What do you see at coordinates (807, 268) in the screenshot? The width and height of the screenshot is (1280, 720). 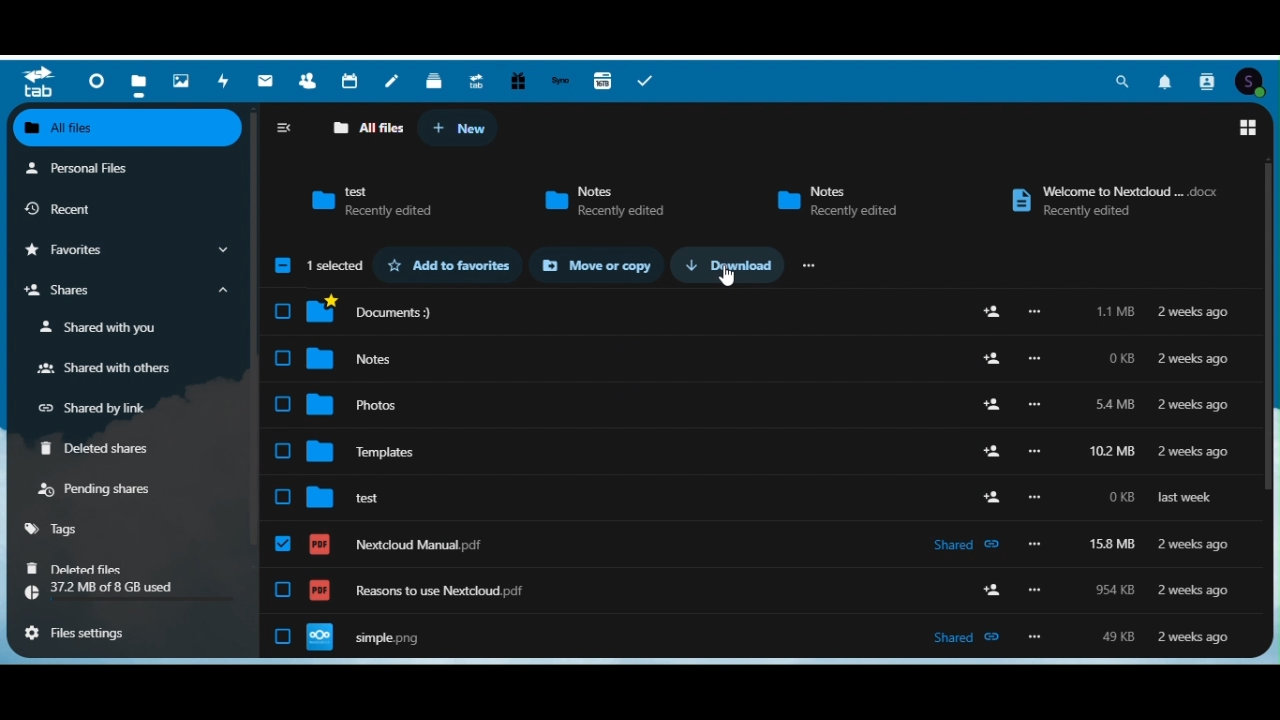 I see `Mauritius` at bounding box center [807, 268].